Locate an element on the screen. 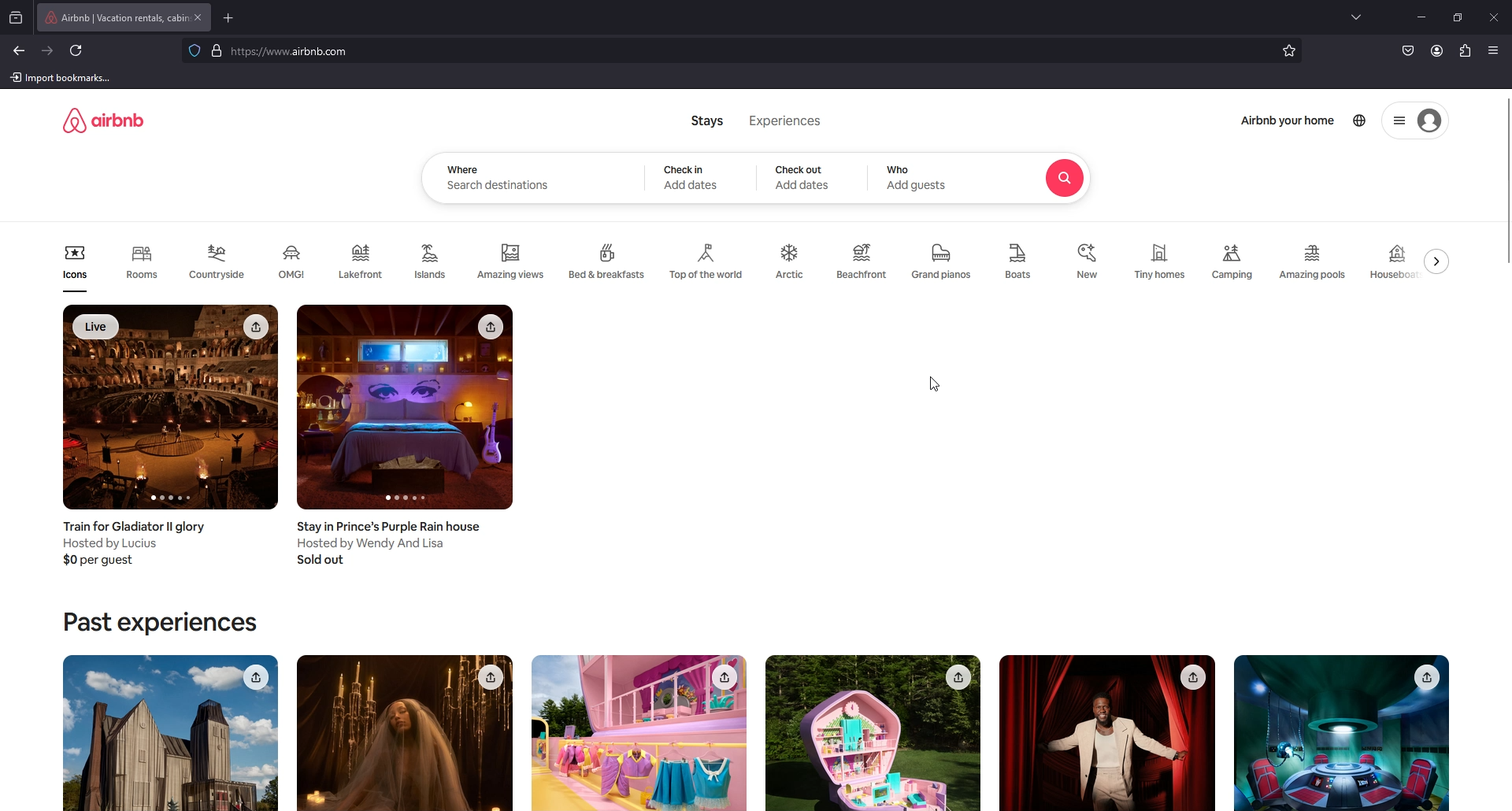 This screenshot has width=1512, height=811. minimize is located at coordinates (1421, 17).